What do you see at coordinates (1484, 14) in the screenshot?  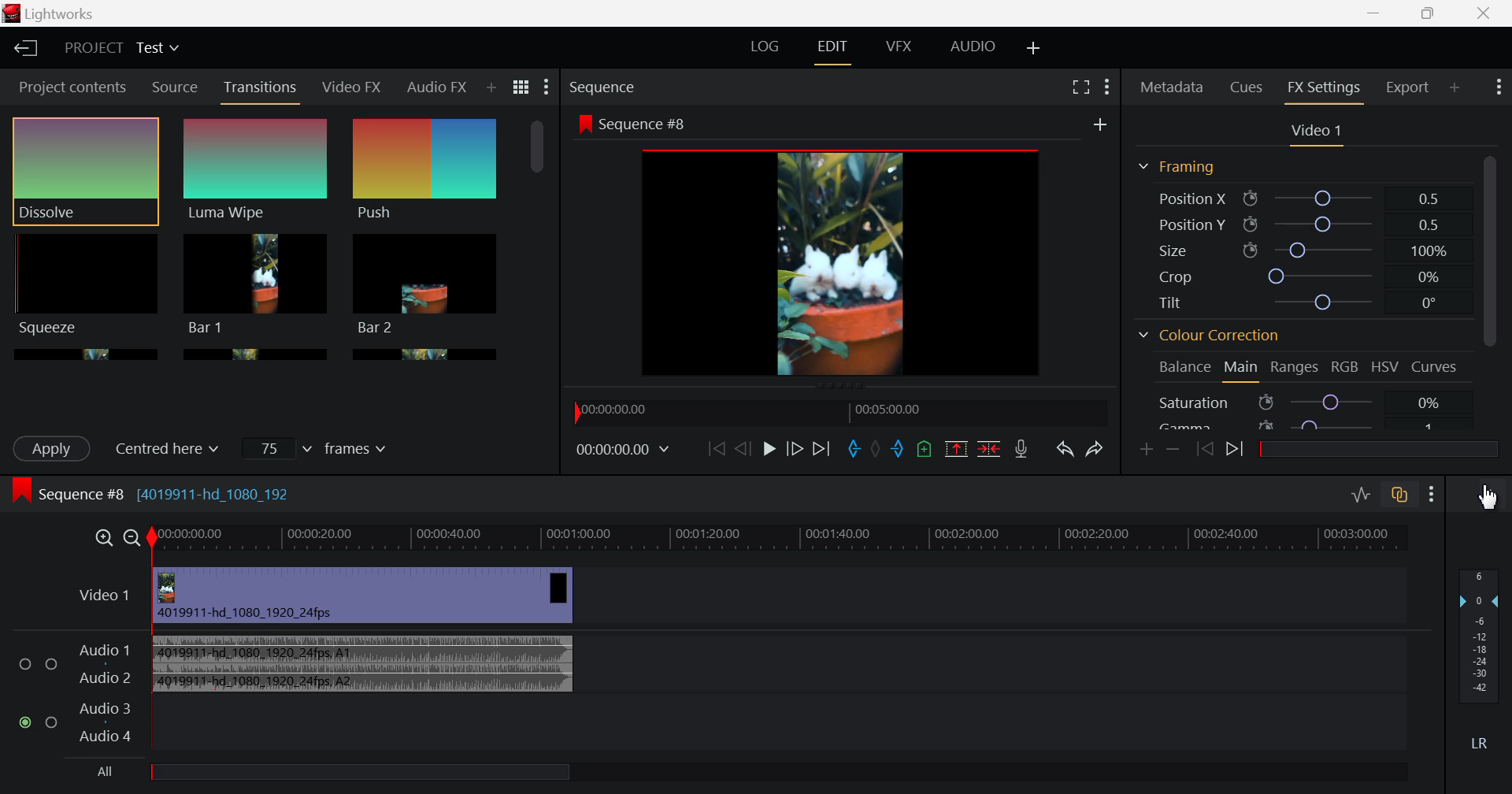 I see `Close` at bounding box center [1484, 14].